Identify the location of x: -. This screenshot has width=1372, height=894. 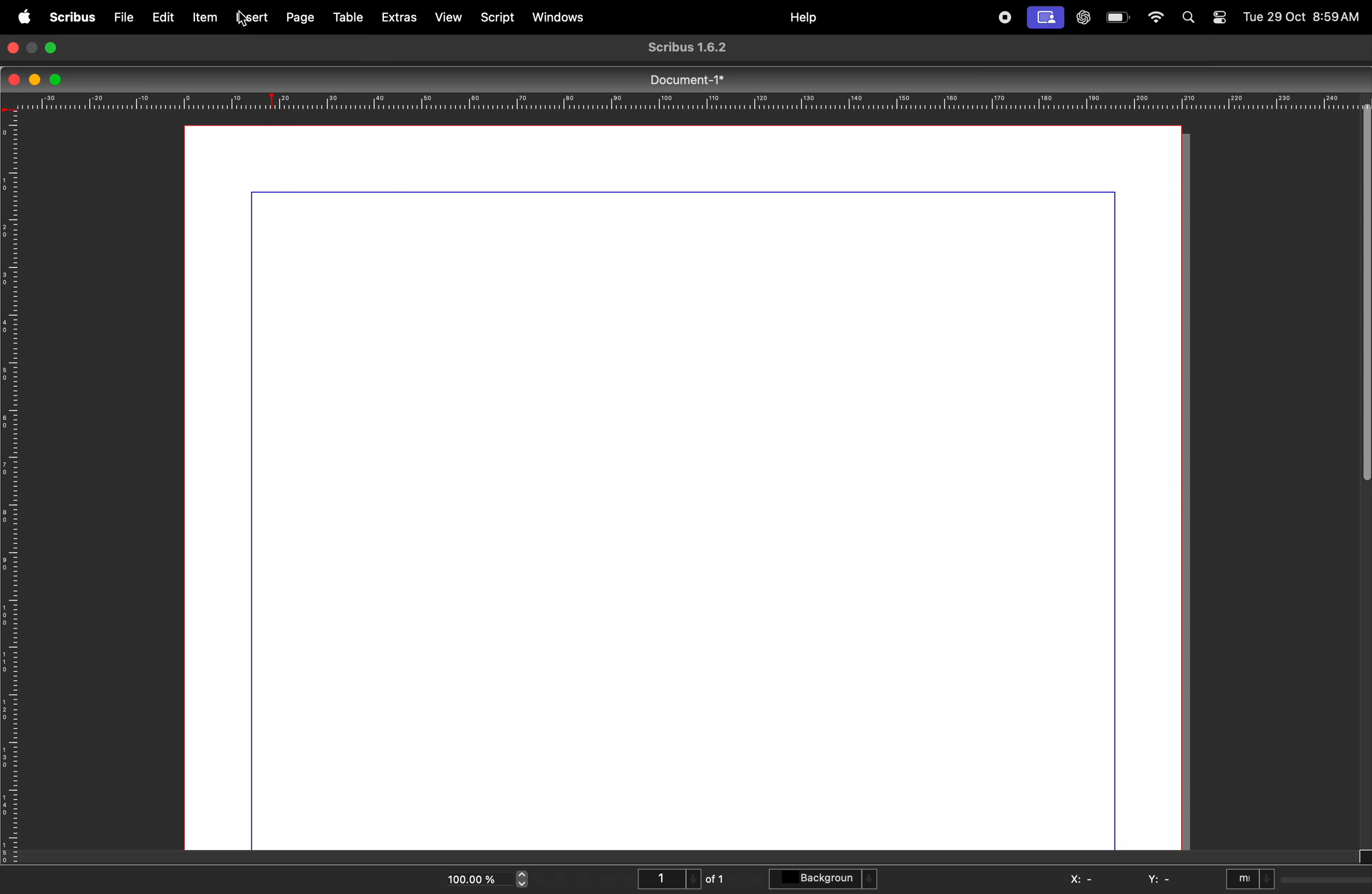
(1083, 878).